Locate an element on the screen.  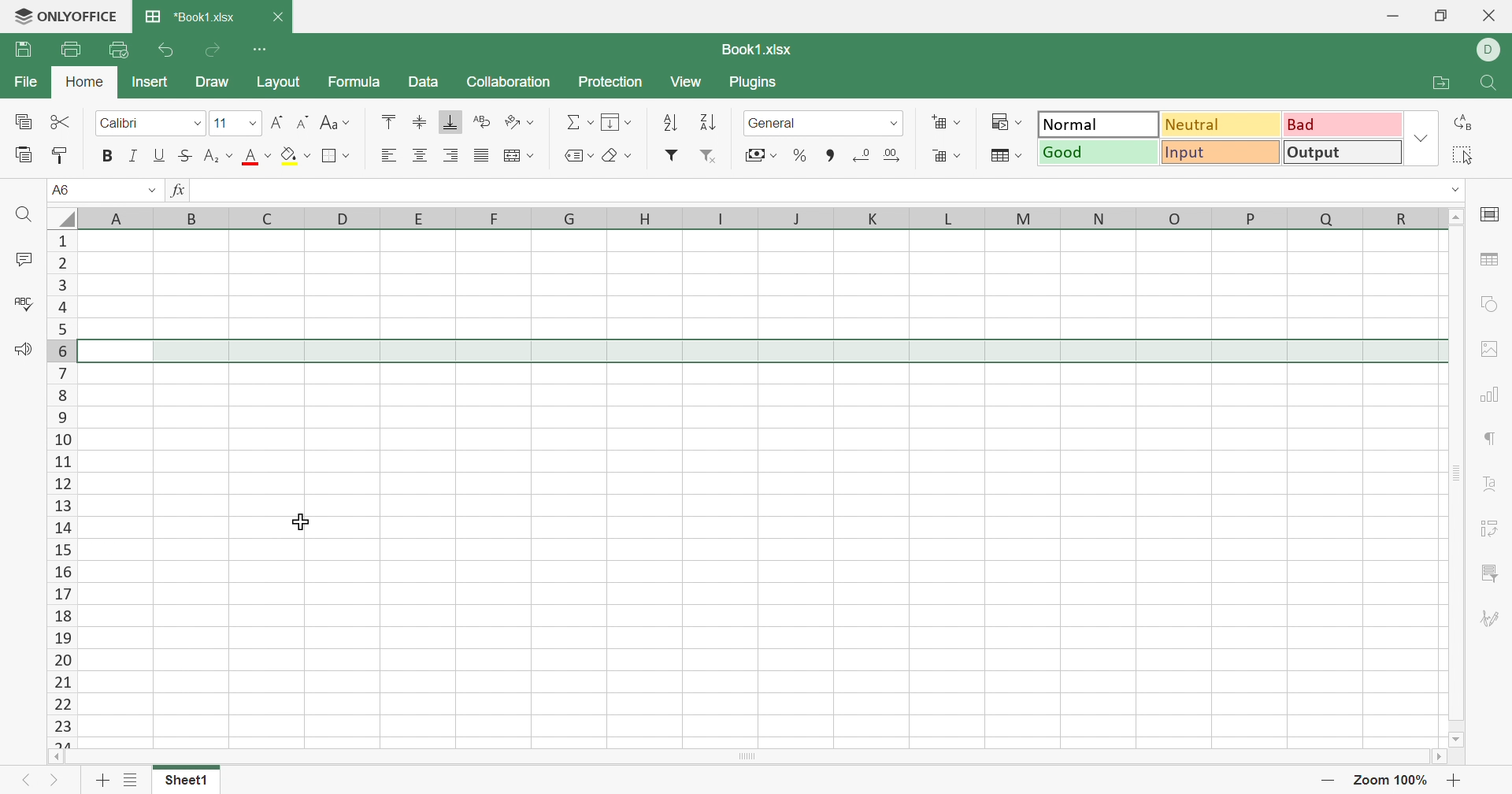
Borders is located at coordinates (335, 155).